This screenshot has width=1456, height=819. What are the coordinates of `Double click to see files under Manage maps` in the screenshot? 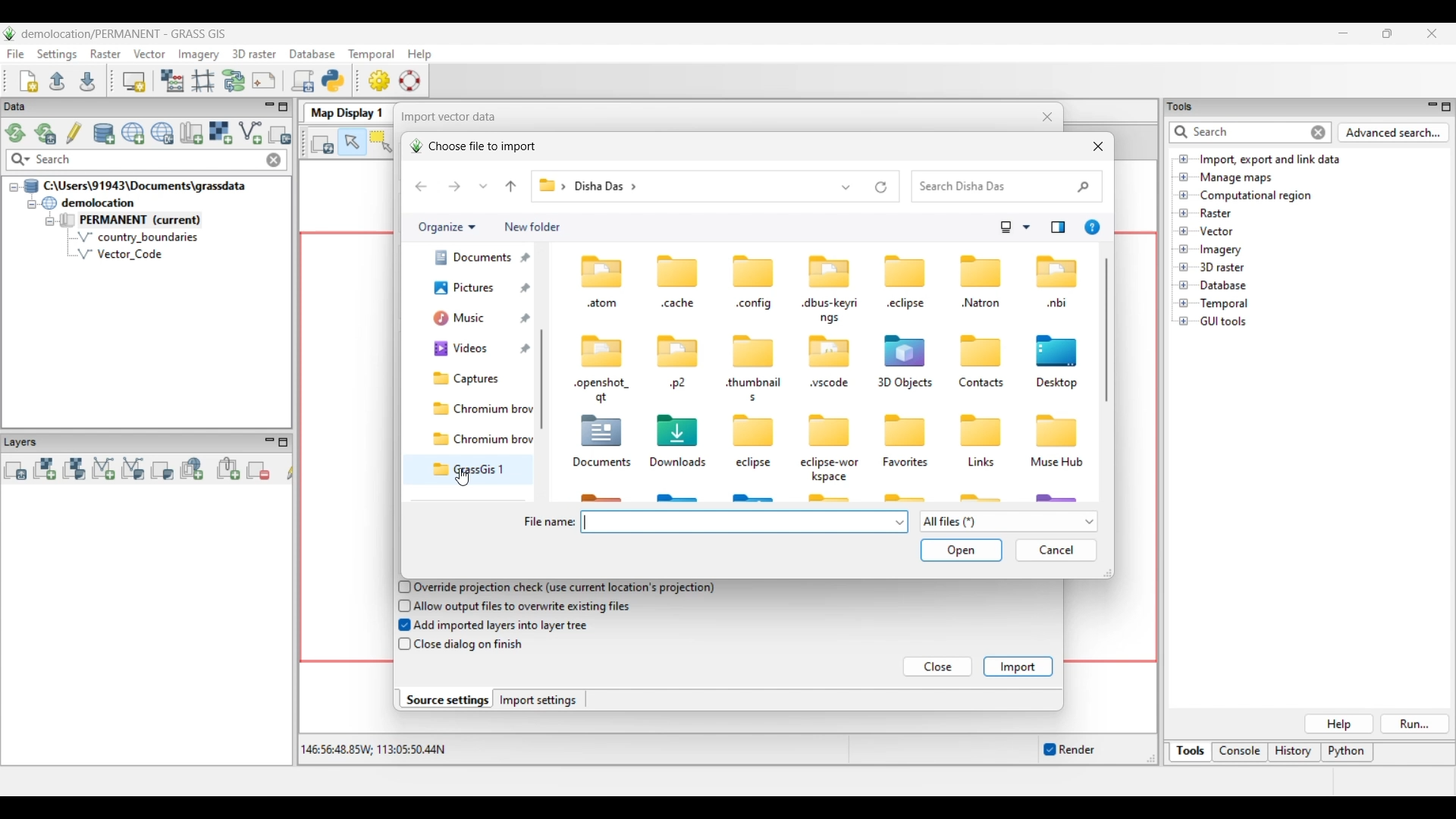 It's located at (1237, 178).